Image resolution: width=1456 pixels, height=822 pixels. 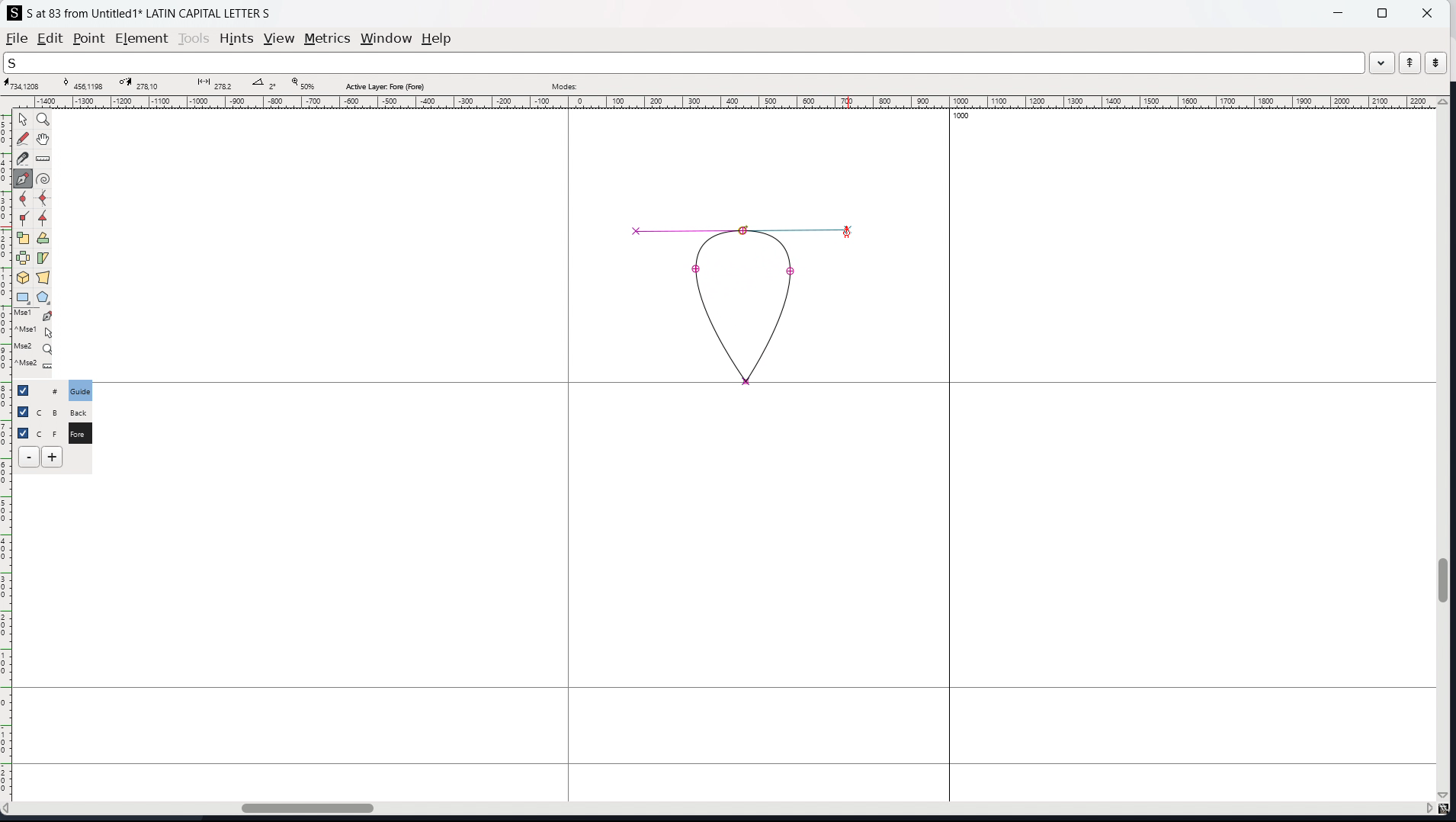 I want to click on close, so click(x=1426, y=12).